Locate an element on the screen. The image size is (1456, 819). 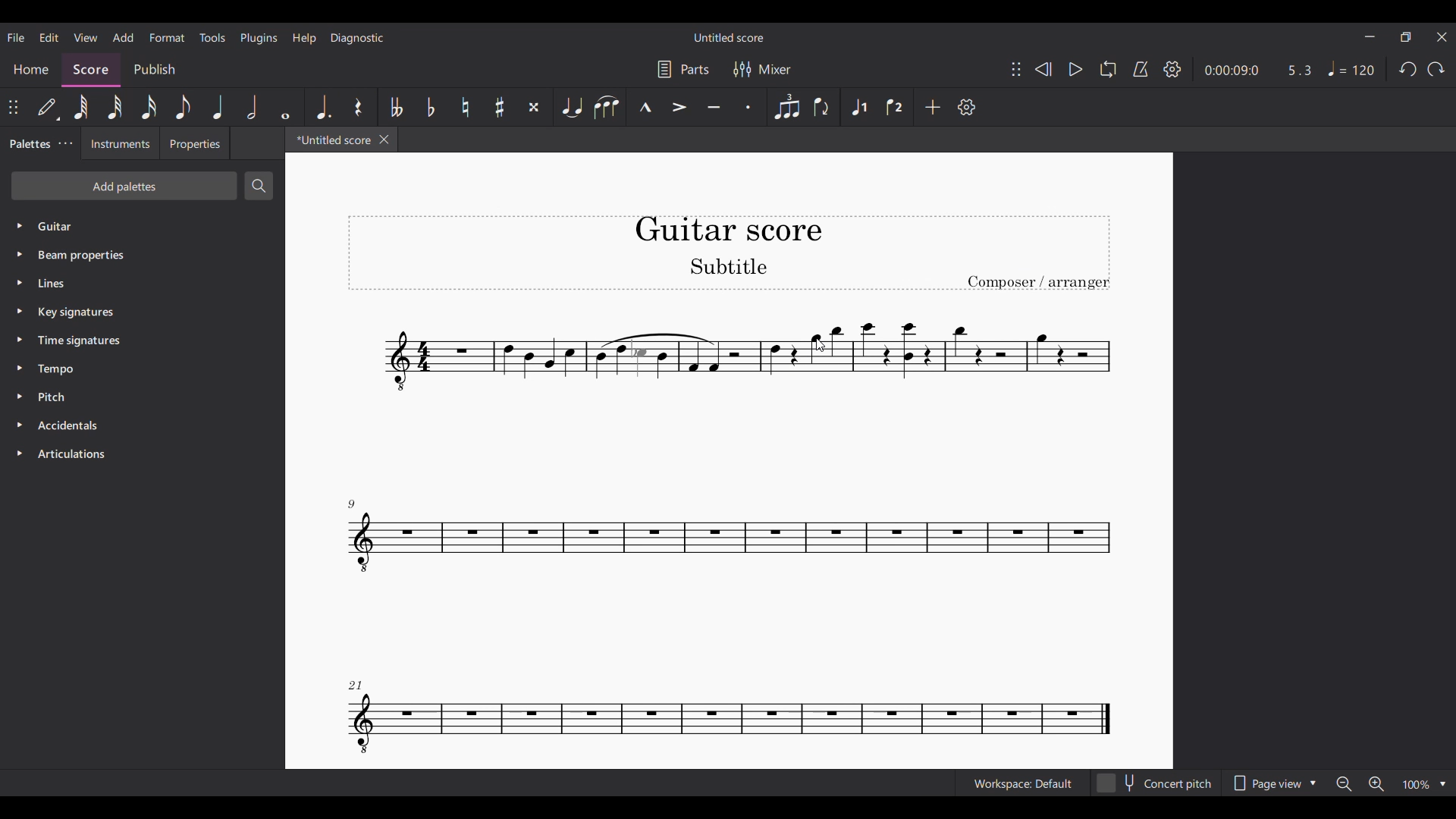
Tuplet is located at coordinates (786, 107).